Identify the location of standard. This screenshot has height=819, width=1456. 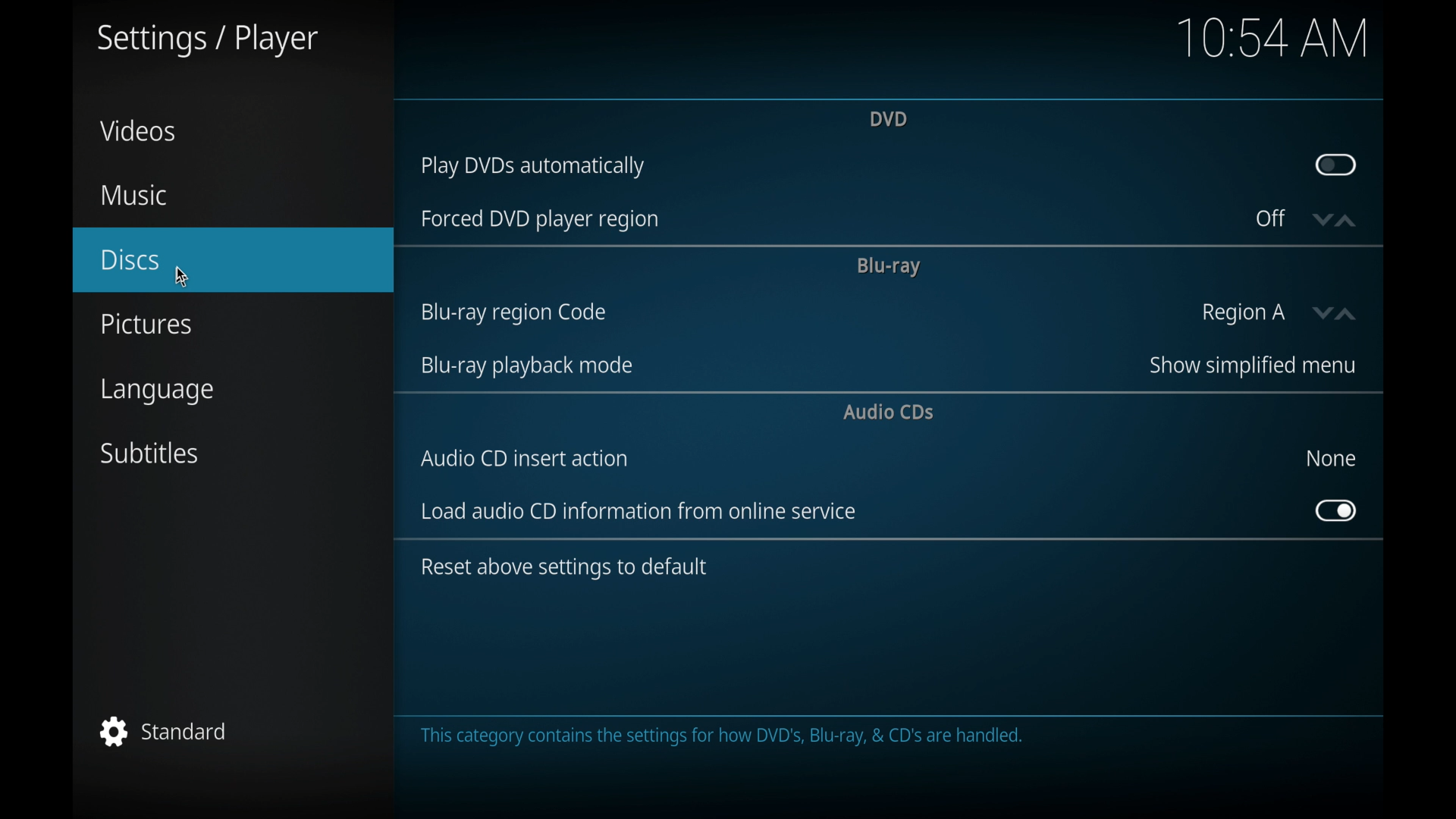
(164, 731).